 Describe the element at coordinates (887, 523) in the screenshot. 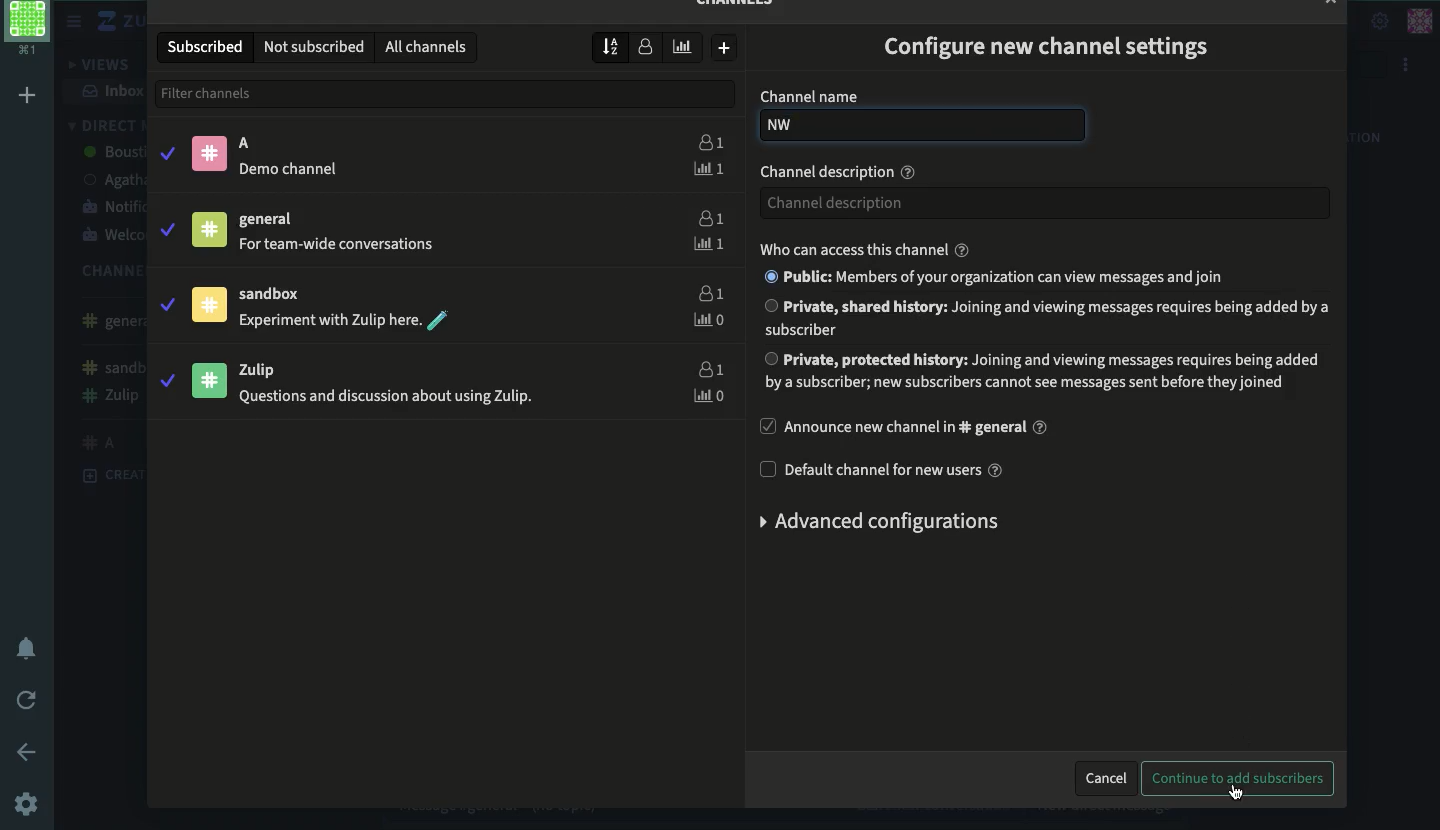

I see `advanced configurations` at that location.